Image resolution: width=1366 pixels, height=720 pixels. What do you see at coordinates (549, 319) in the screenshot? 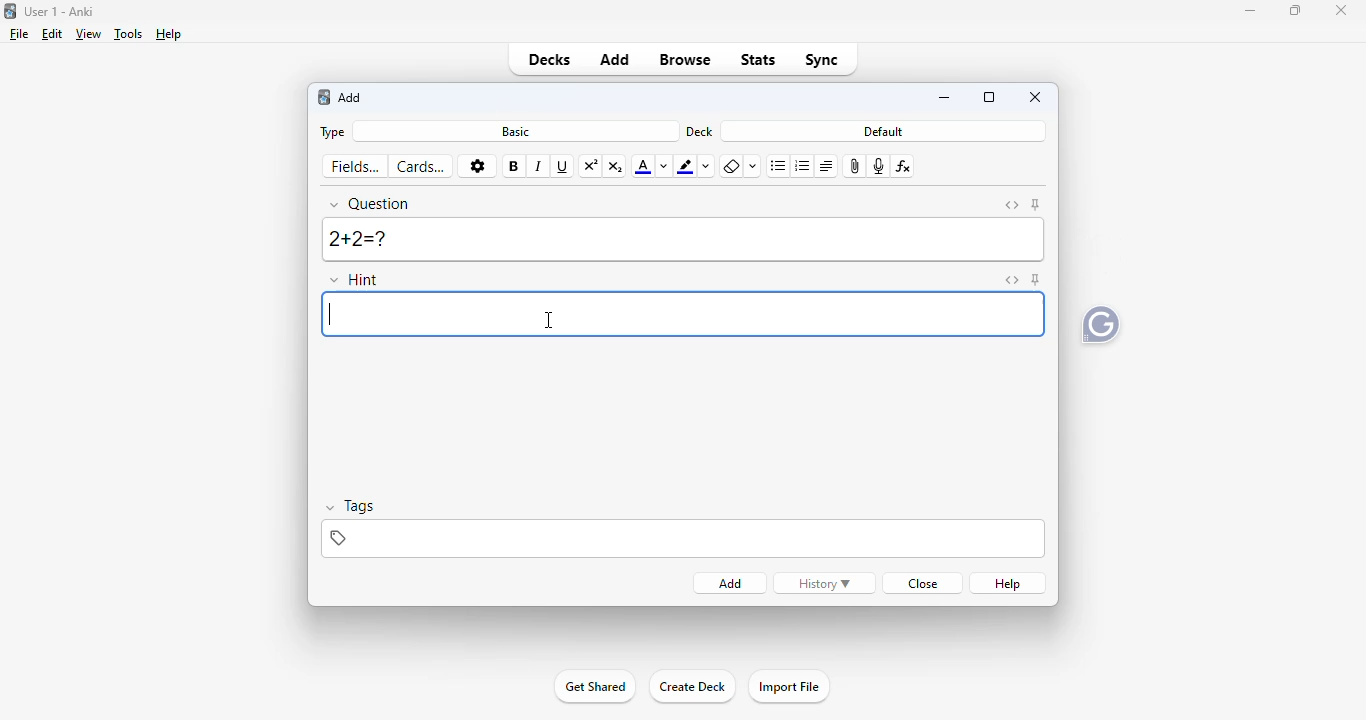
I see `cursor` at bounding box center [549, 319].